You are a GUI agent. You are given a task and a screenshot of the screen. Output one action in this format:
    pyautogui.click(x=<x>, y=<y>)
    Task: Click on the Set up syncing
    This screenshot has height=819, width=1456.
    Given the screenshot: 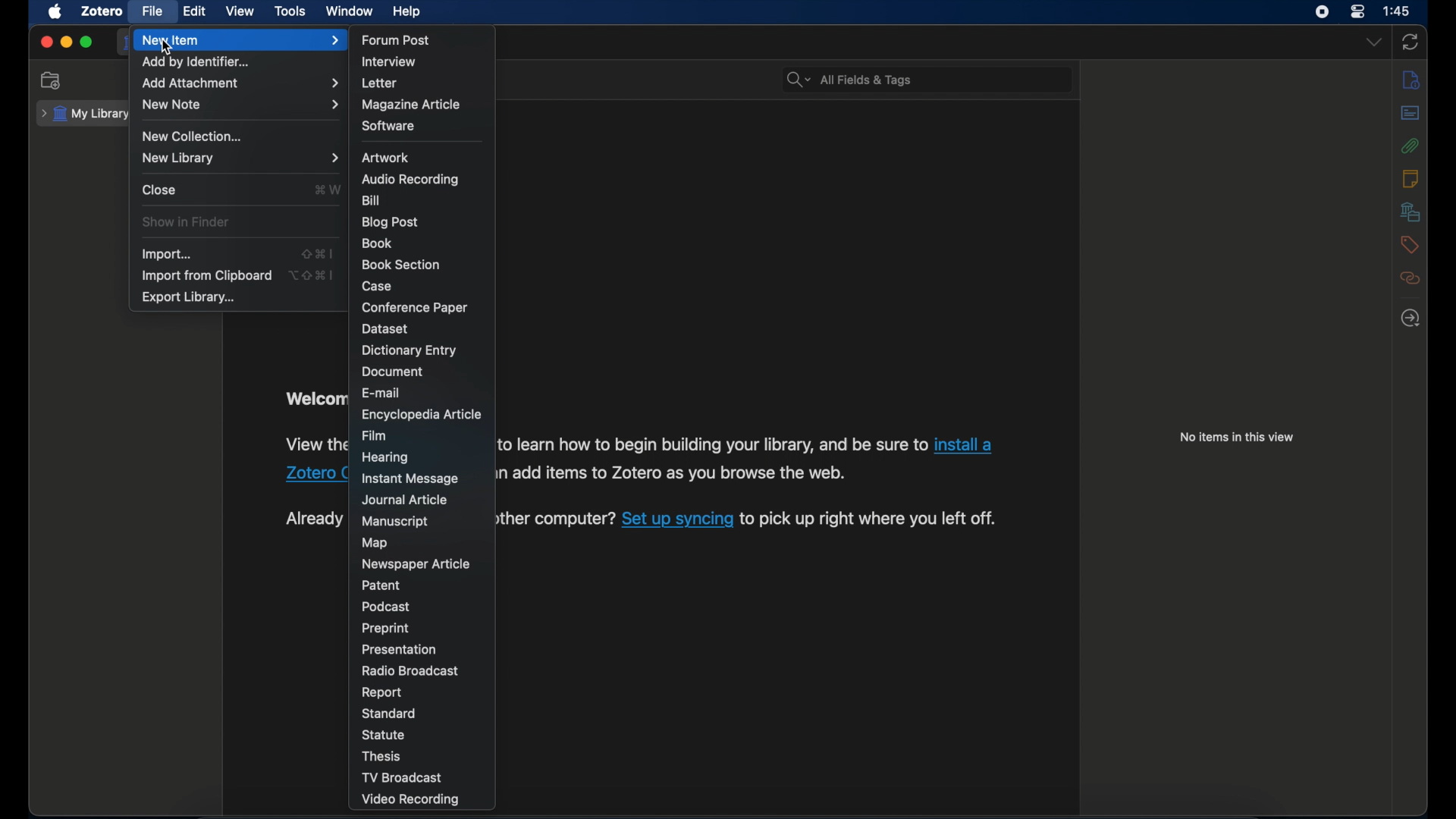 What is the action you would take?
    pyautogui.click(x=678, y=518)
    